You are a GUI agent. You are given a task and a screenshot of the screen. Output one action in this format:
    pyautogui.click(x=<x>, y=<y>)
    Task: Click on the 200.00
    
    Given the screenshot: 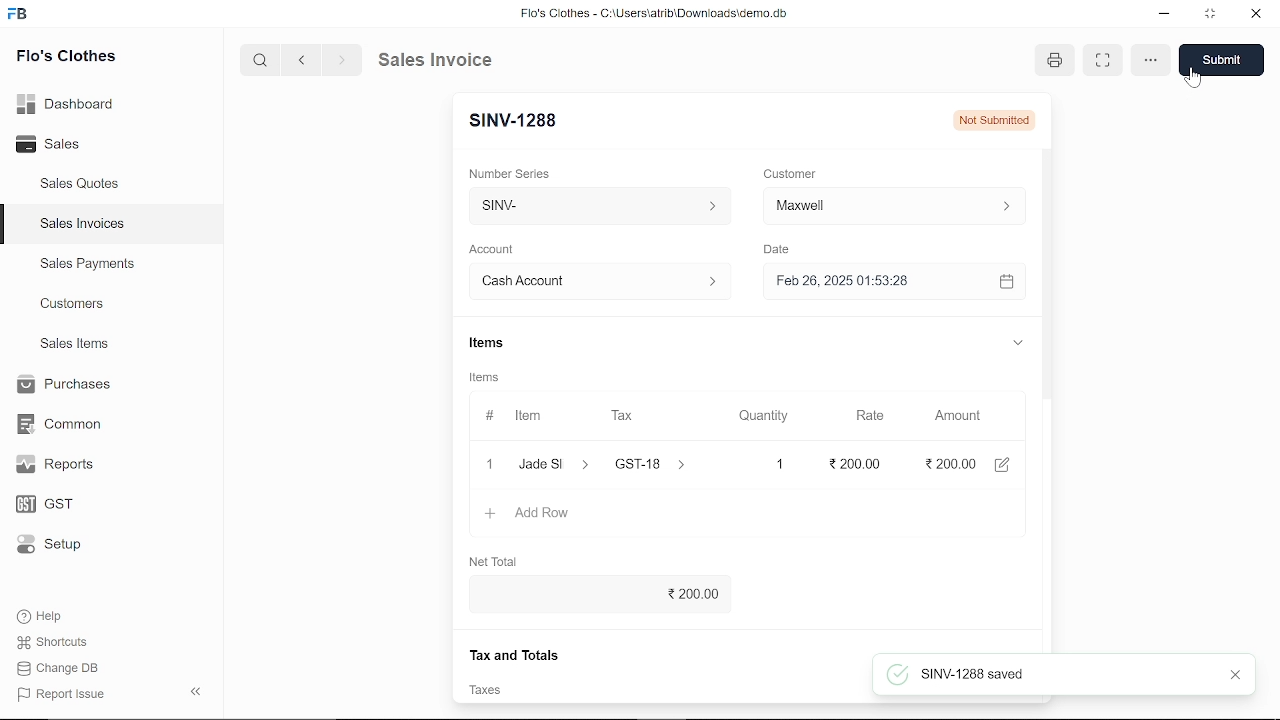 What is the action you would take?
    pyautogui.click(x=847, y=464)
    